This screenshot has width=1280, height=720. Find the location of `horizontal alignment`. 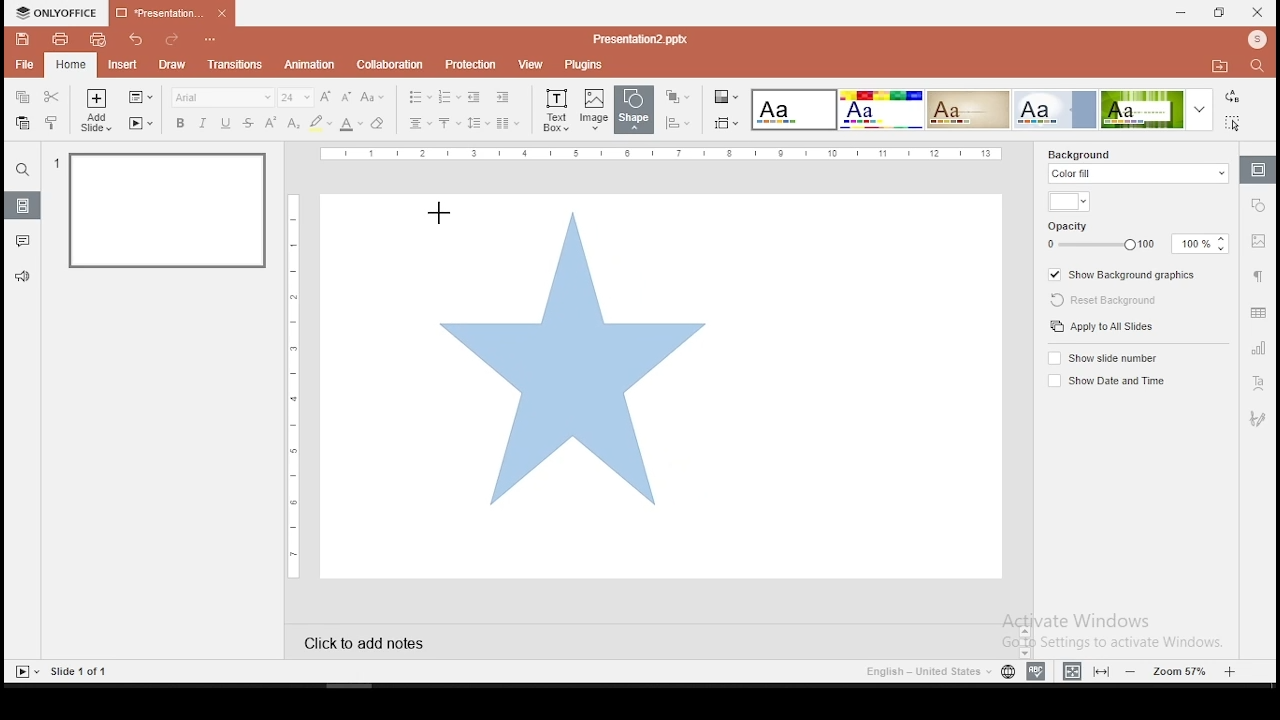

horizontal alignment is located at coordinates (420, 124).